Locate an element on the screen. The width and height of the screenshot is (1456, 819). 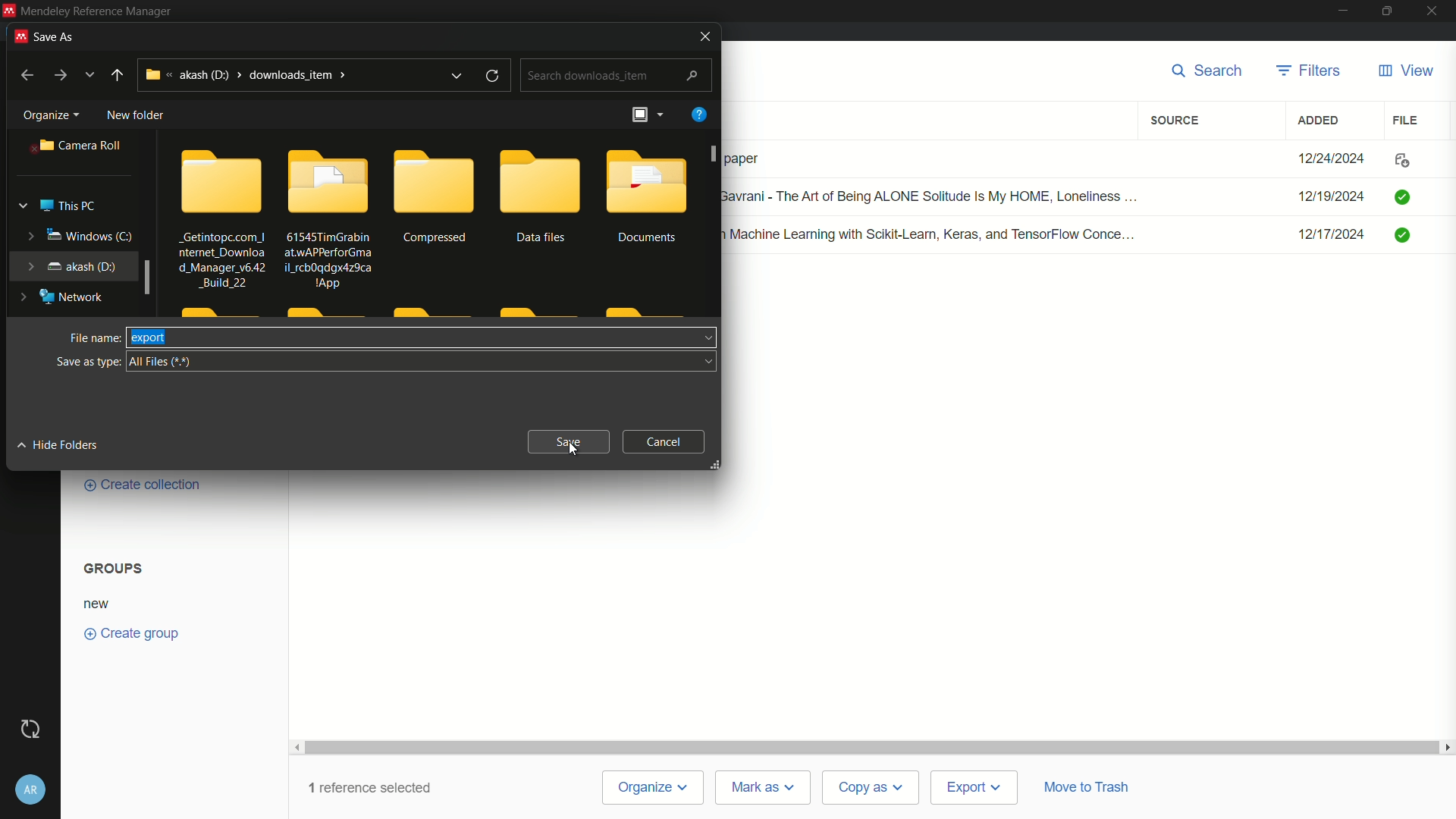
icon is located at coordinates (1401, 197).